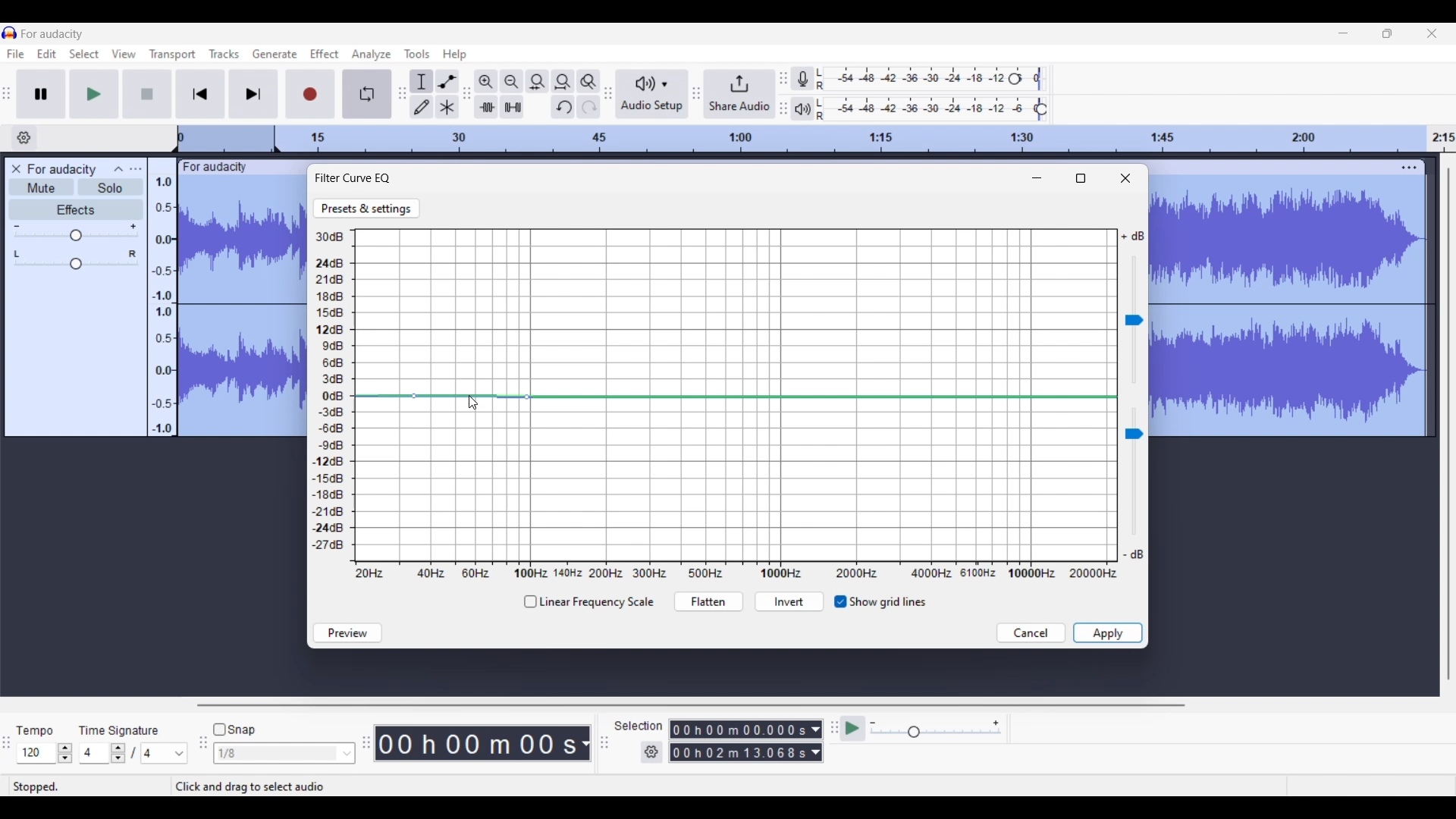  What do you see at coordinates (588, 602) in the screenshot?
I see `Toggle for linear frequency scale` at bounding box center [588, 602].